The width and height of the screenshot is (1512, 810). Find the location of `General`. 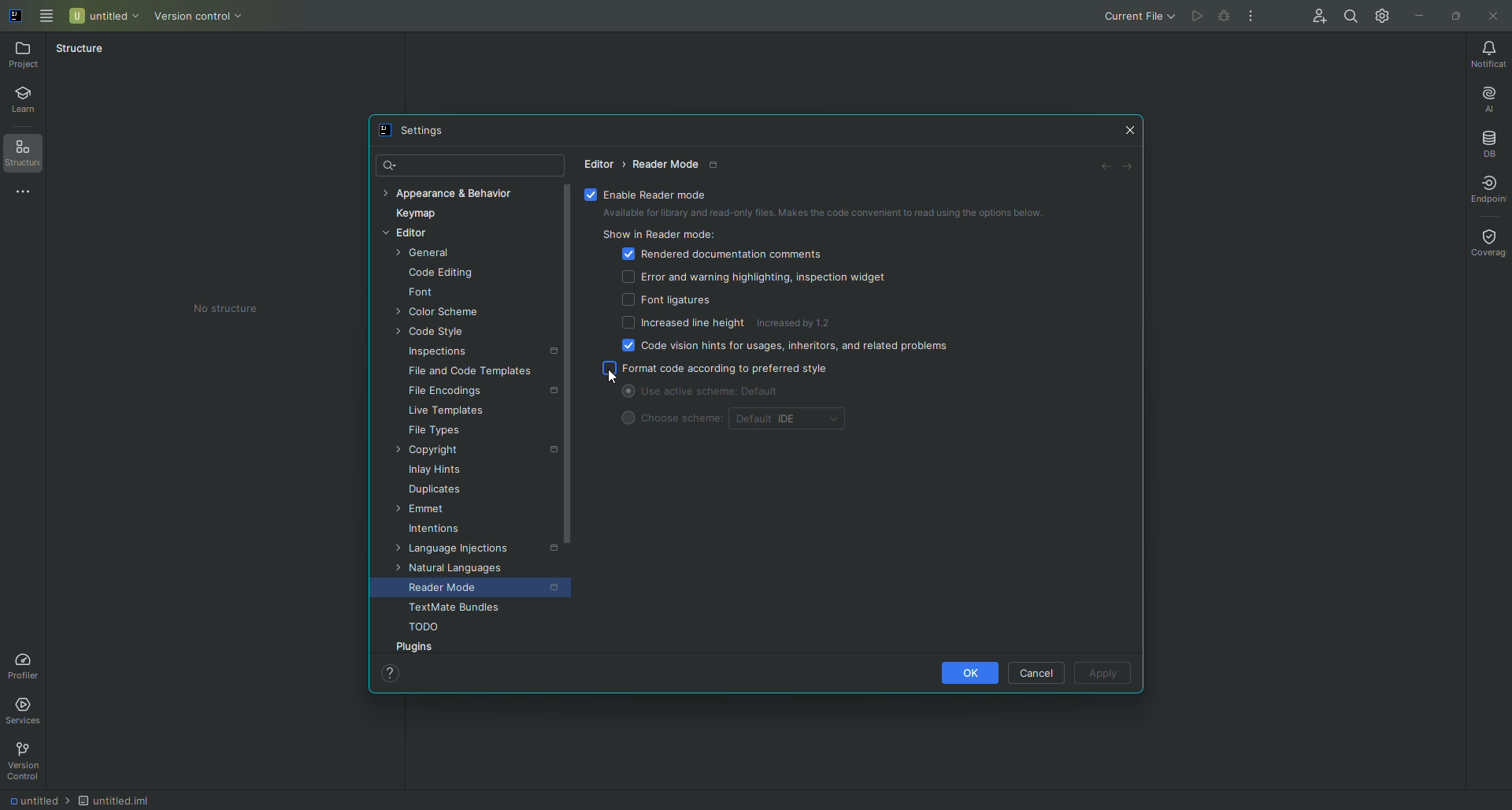

General is located at coordinates (424, 255).